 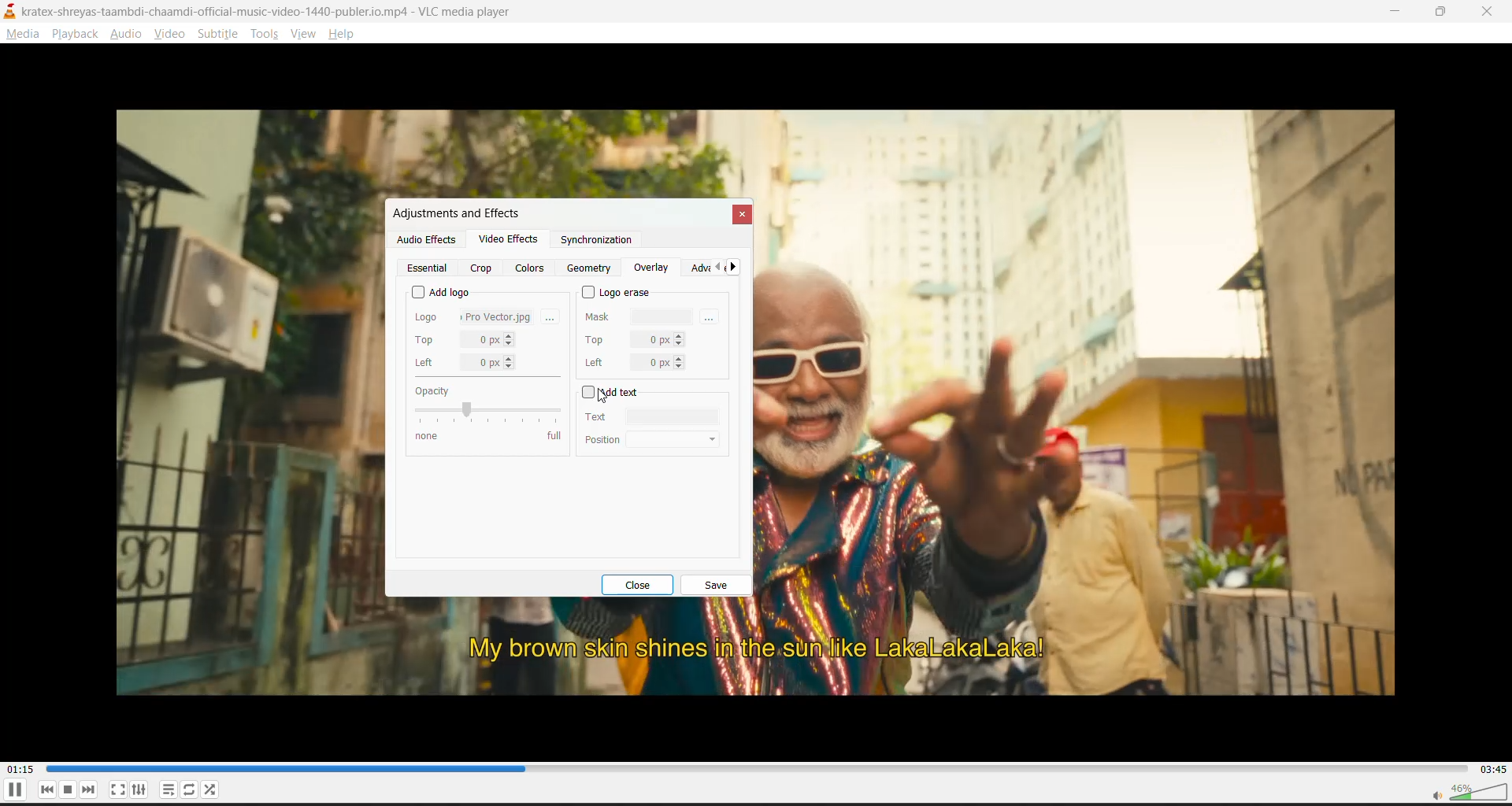 What do you see at coordinates (70, 790) in the screenshot?
I see `stop` at bounding box center [70, 790].